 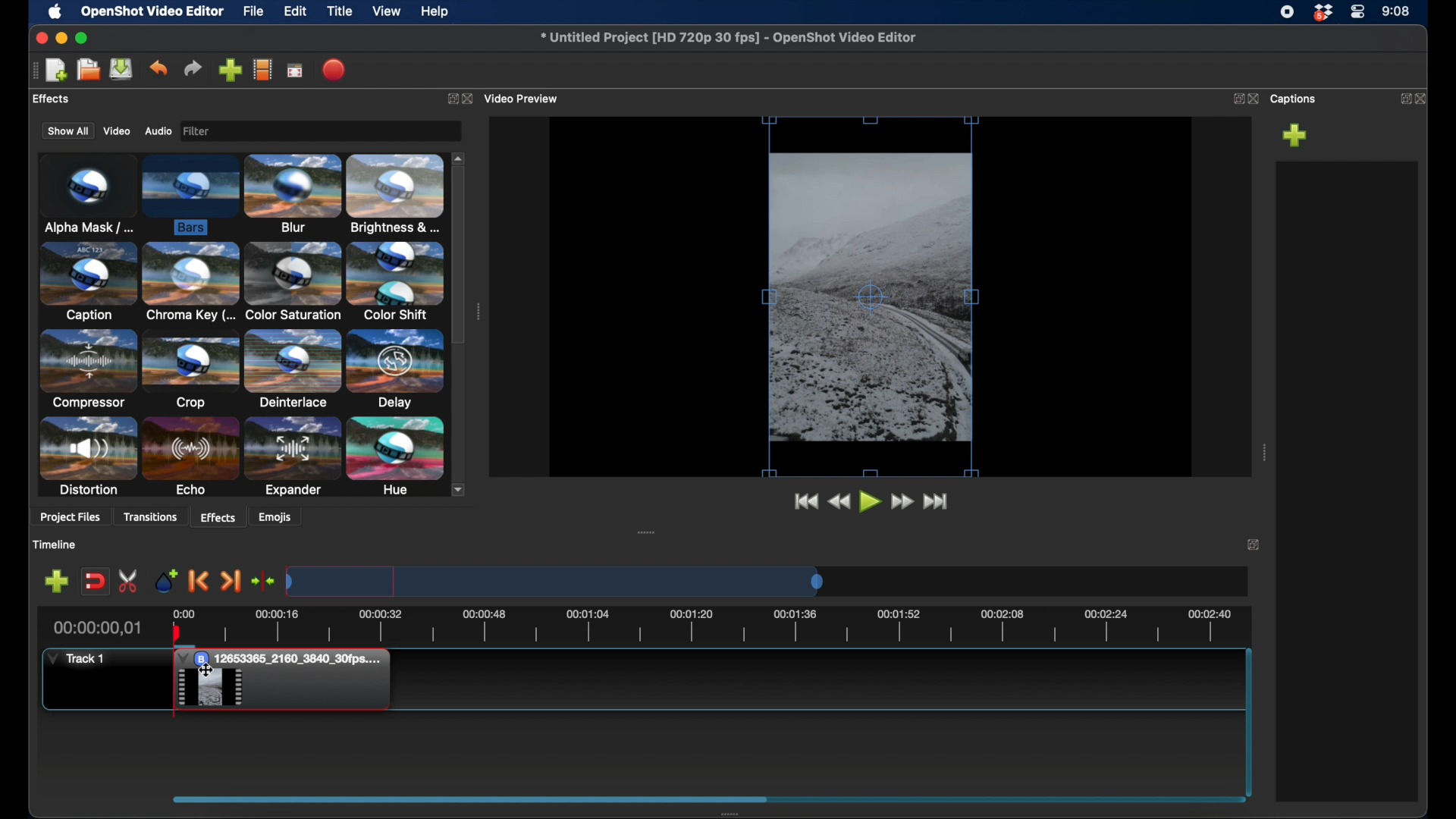 What do you see at coordinates (63, 38) in the screenshot?
I see `minimize` at bounding box center [63, 38].